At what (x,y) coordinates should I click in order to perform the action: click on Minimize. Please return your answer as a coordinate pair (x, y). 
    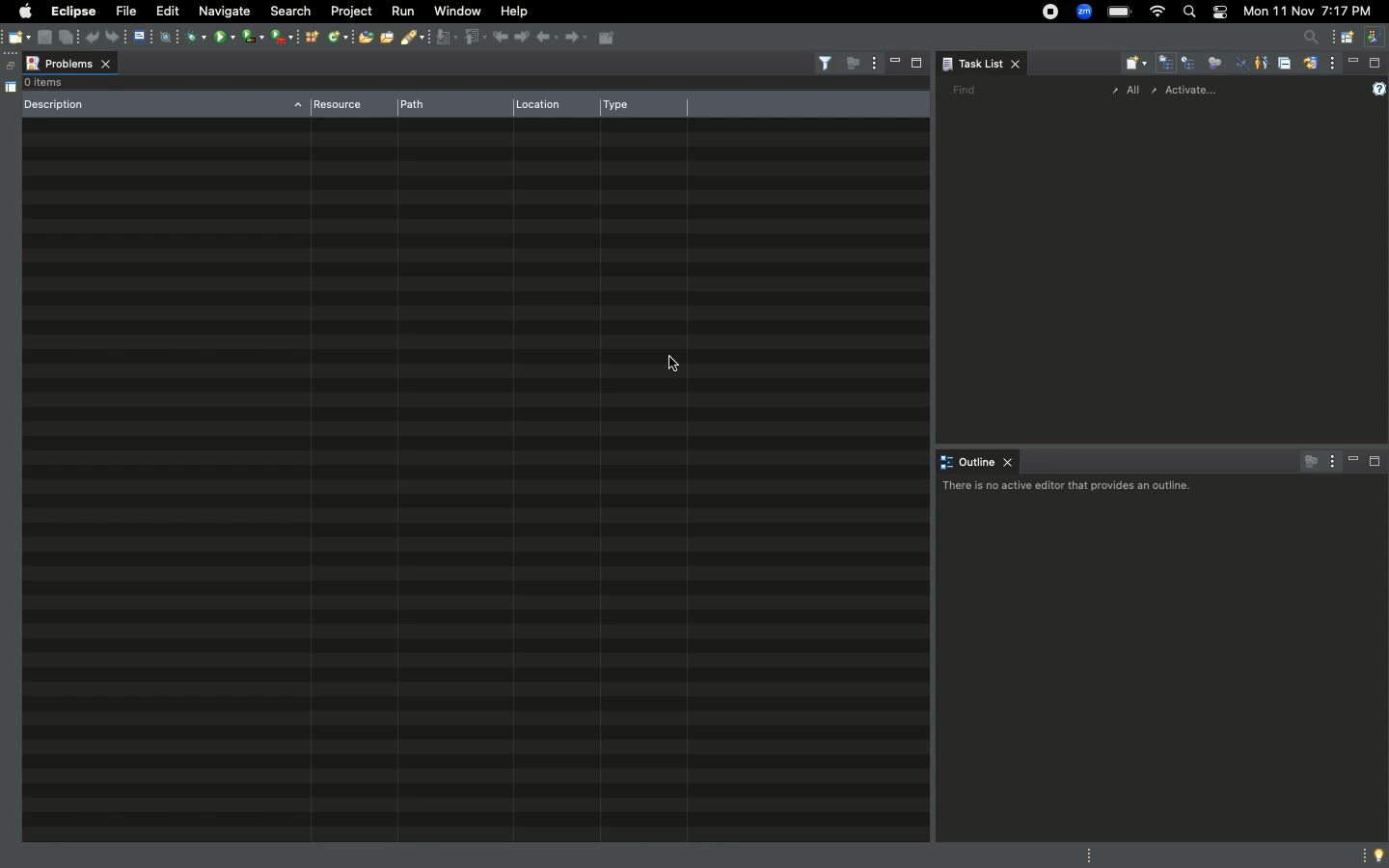
    Looking at the image, I should click on (1354, 461).